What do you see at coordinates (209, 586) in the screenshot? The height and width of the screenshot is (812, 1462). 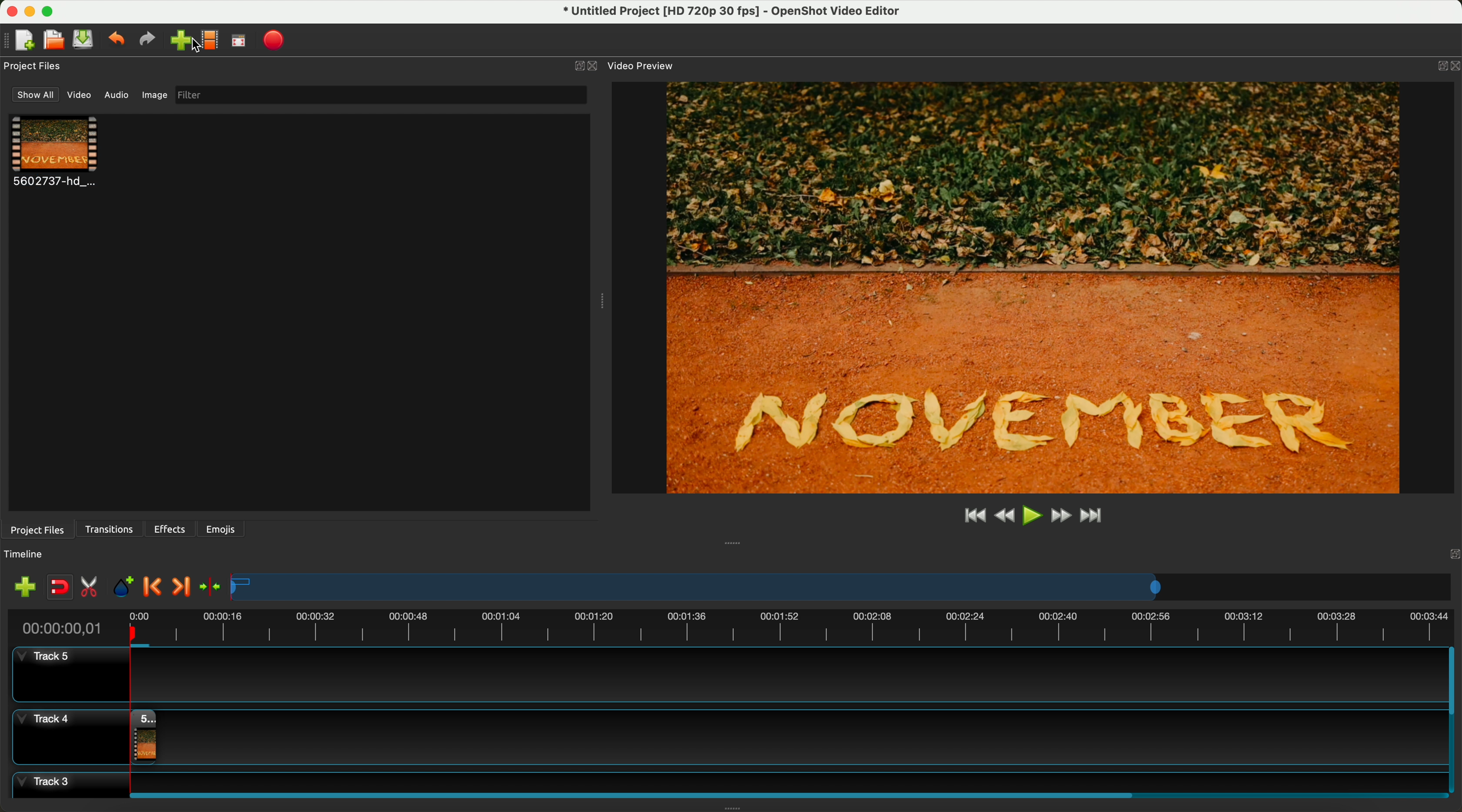 I see `center the timeline on the playhead` at bounding box center [209, 586].